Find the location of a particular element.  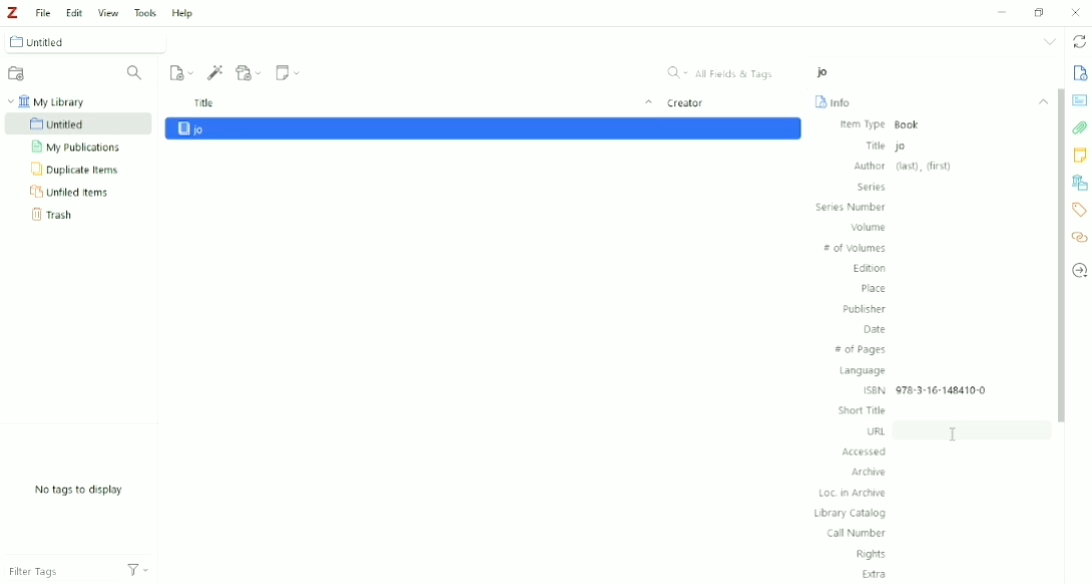

Title is located at coordinates (420, 103).